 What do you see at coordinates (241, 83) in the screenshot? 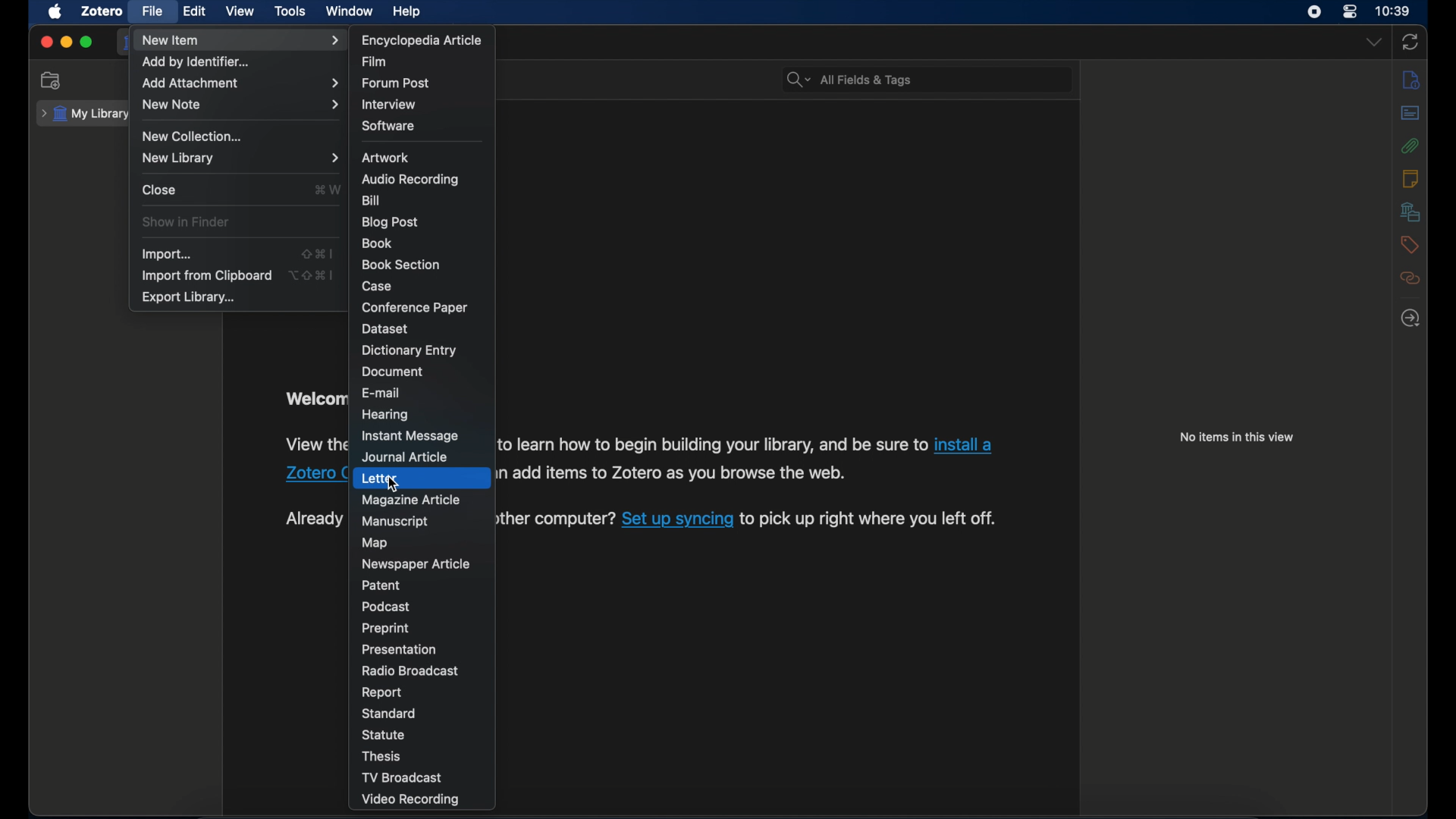
I see `add attachment` at bounding box center [241, 83].